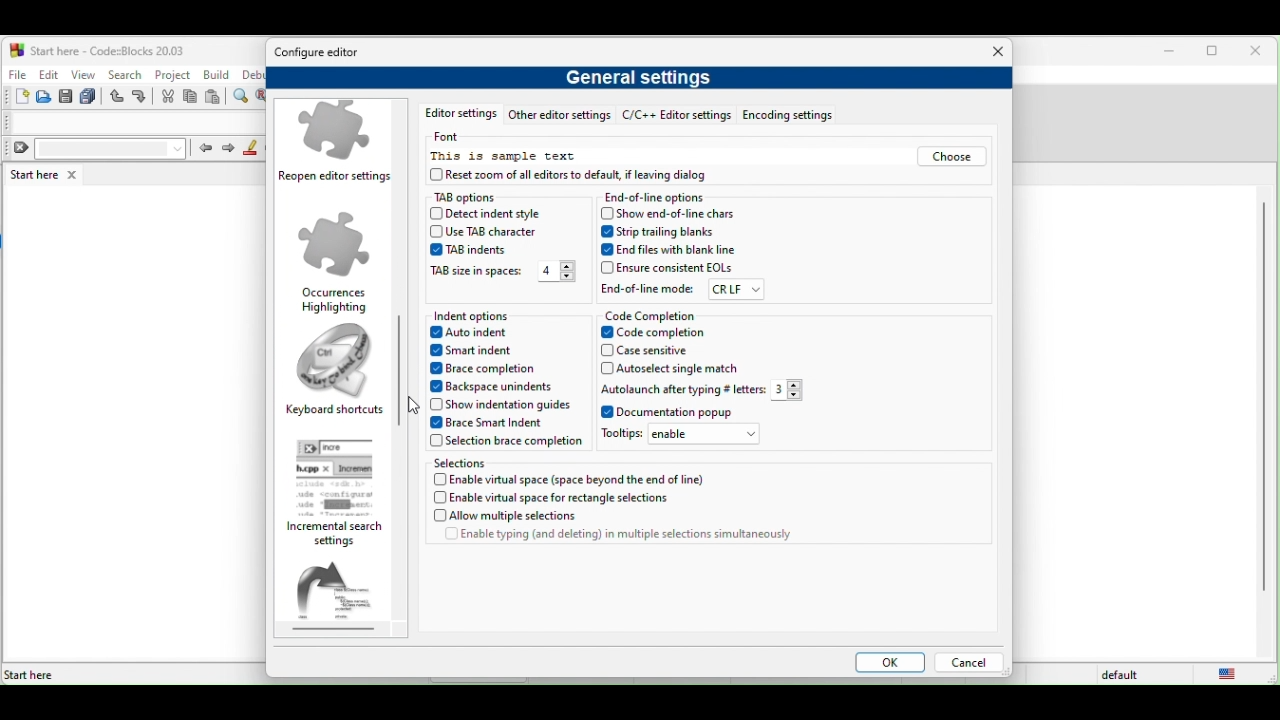 This screenshot has width=1280, height=720. What do you see at coordinates (342, 597) in the screenshot?
I see `abbreviations` at bounding box center [342, 597].